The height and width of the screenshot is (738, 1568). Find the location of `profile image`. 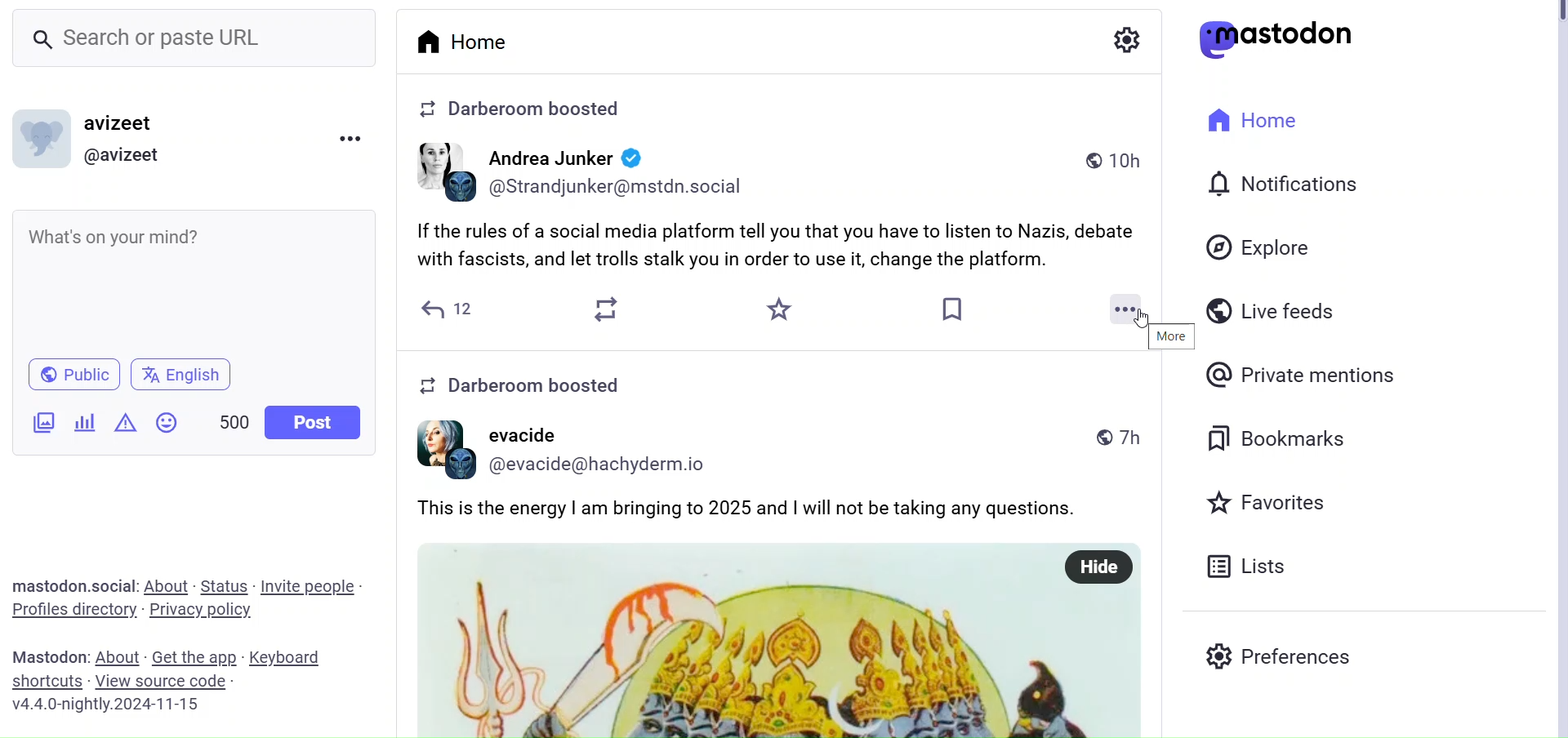

profile image is located at coordinates (443, 173).